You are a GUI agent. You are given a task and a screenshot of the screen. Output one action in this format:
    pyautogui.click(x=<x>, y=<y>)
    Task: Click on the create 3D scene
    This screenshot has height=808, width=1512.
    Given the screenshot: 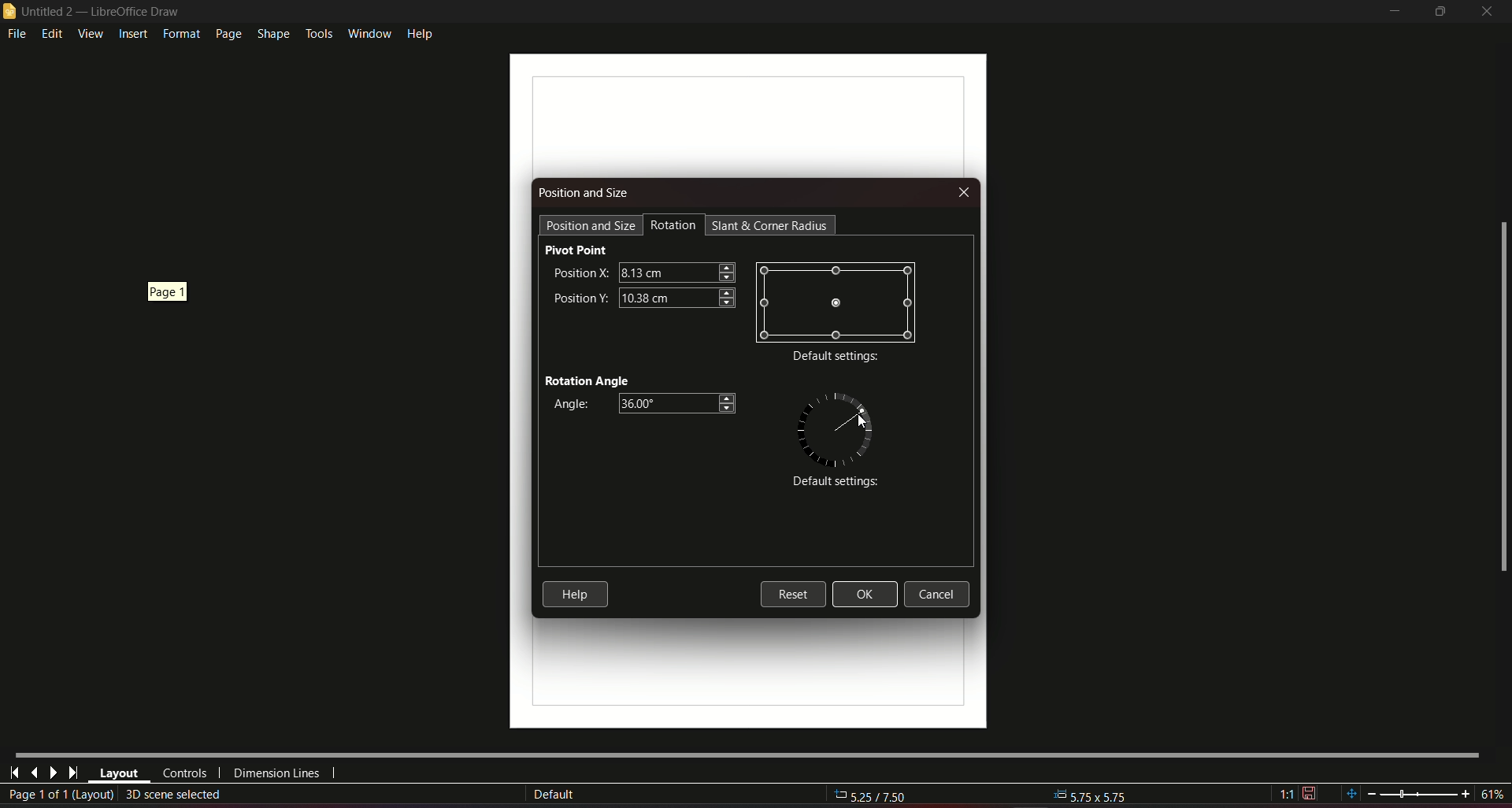 What is the action you would take?
    pyautogui.click(x=175, y=794)
    